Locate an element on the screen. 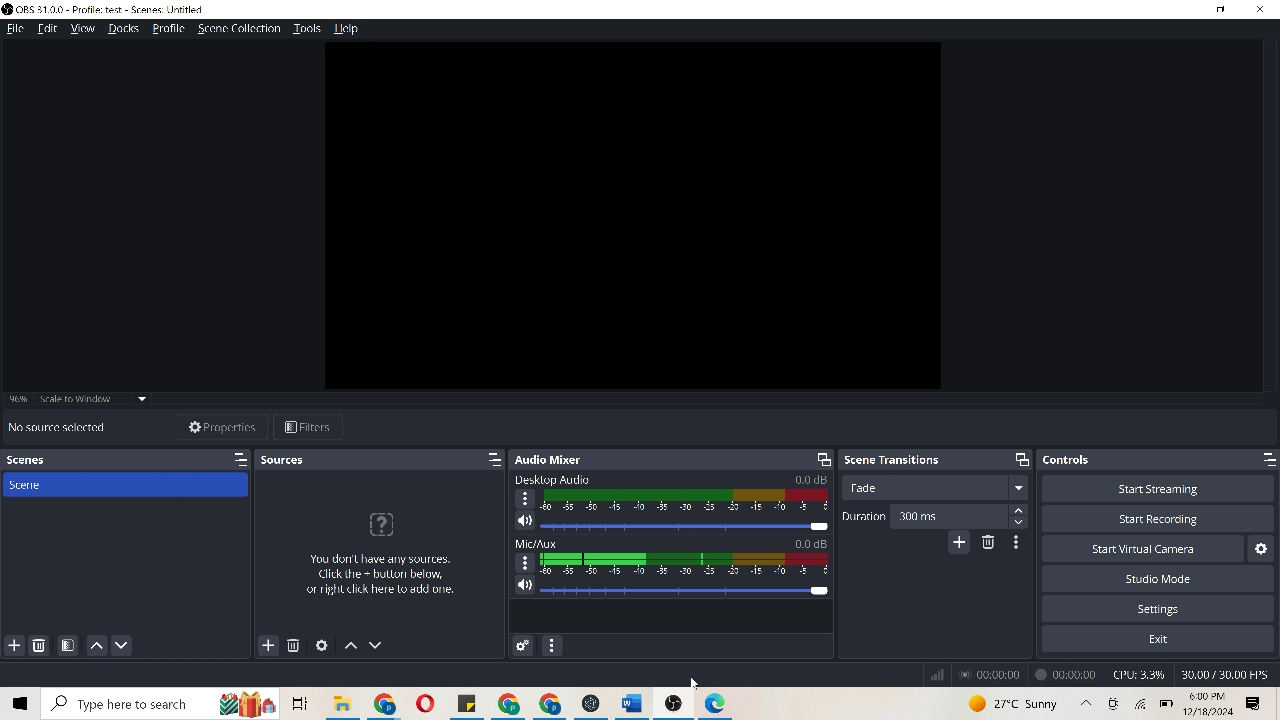 Image resolution: width=1280 pixels, height=720 pixels. slider is located at coordinates (685, 588).